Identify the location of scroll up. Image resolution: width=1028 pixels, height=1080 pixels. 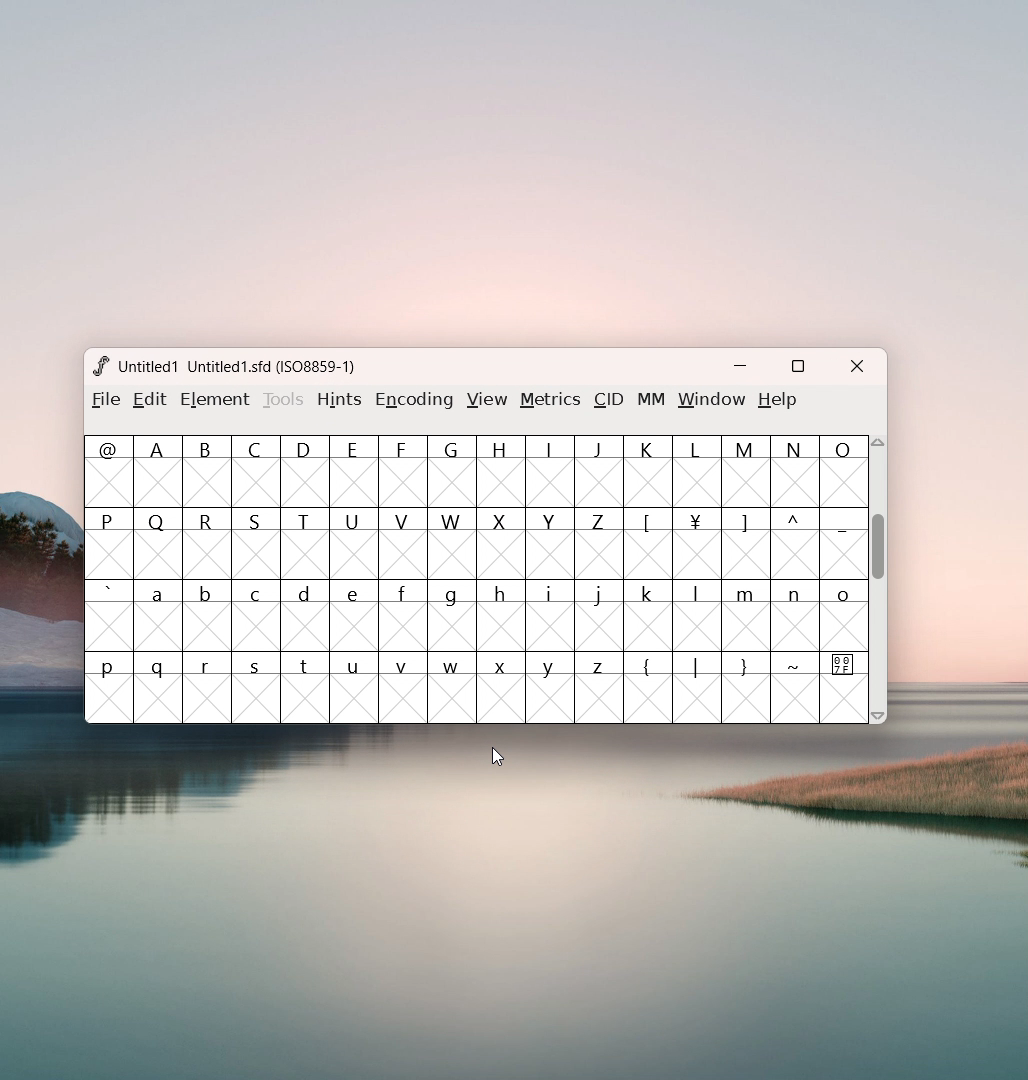
(879, 445).